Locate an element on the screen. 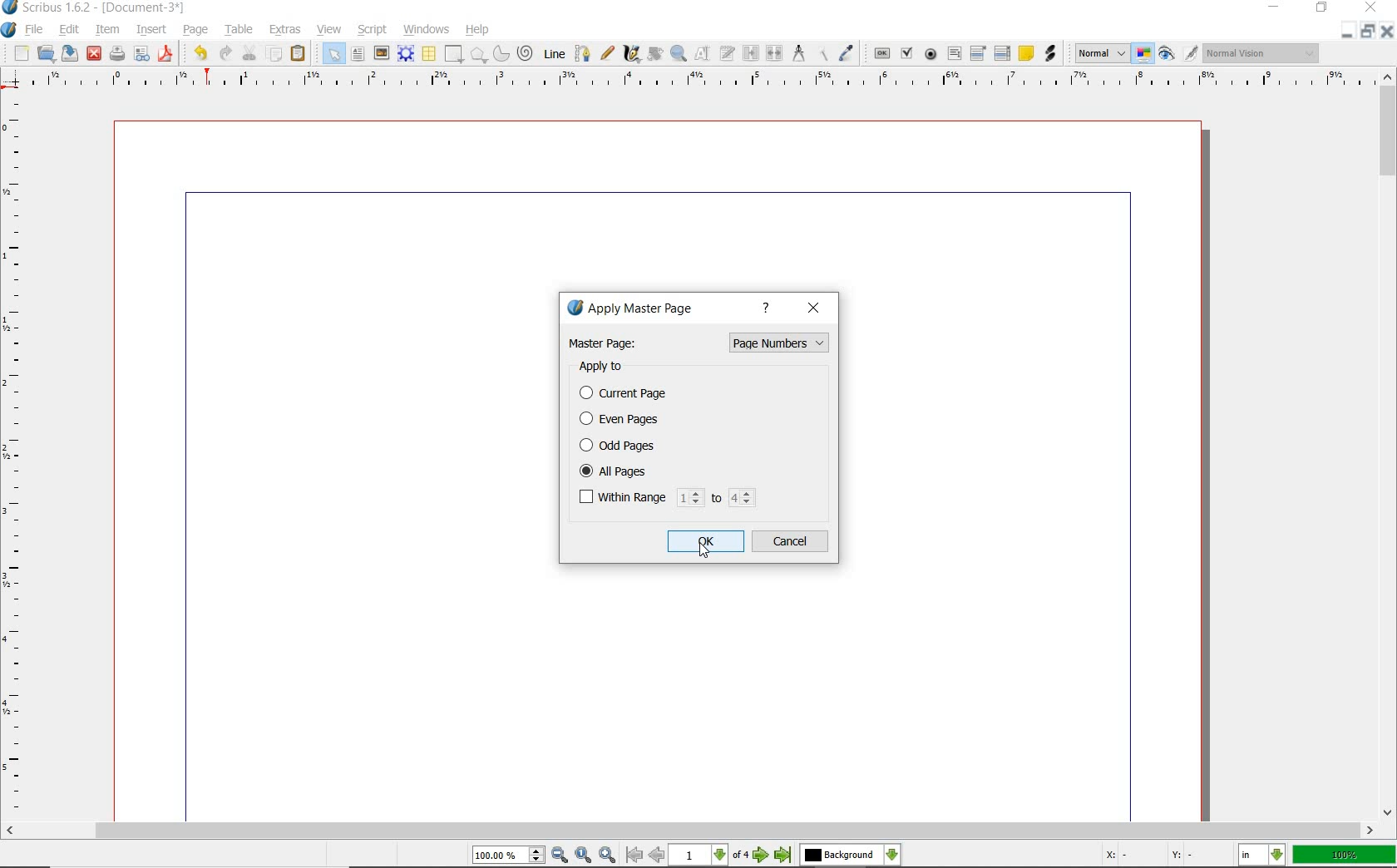  measurements is located at coordinates (797, 54).